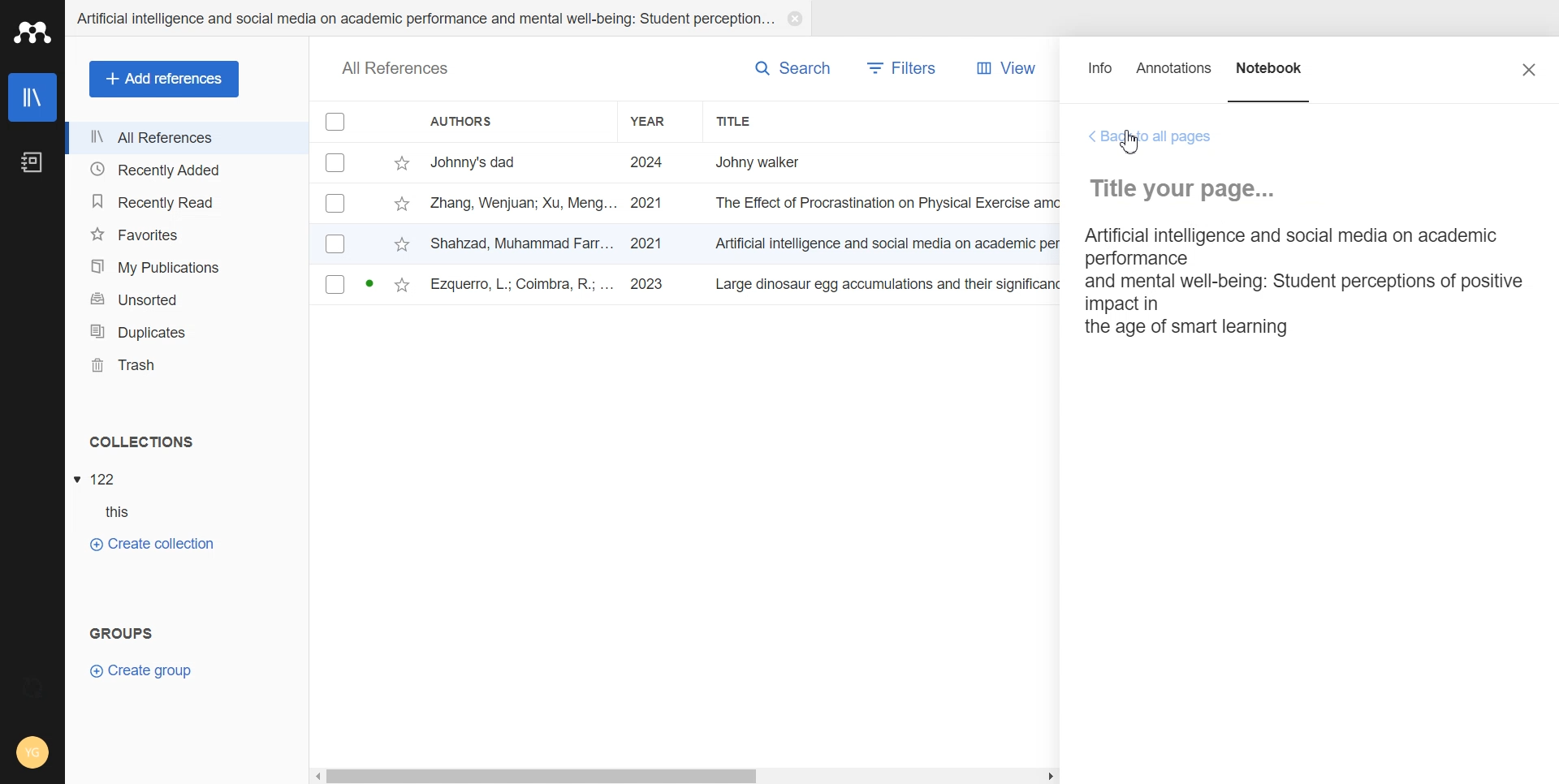 The width and height of the screenshot is (1559, 784). Describe the element at coordinates (424, 19) in the screenshot. I see `Artificial intelligence and social media on academic performance and mental well-being: student perception...` at that location.